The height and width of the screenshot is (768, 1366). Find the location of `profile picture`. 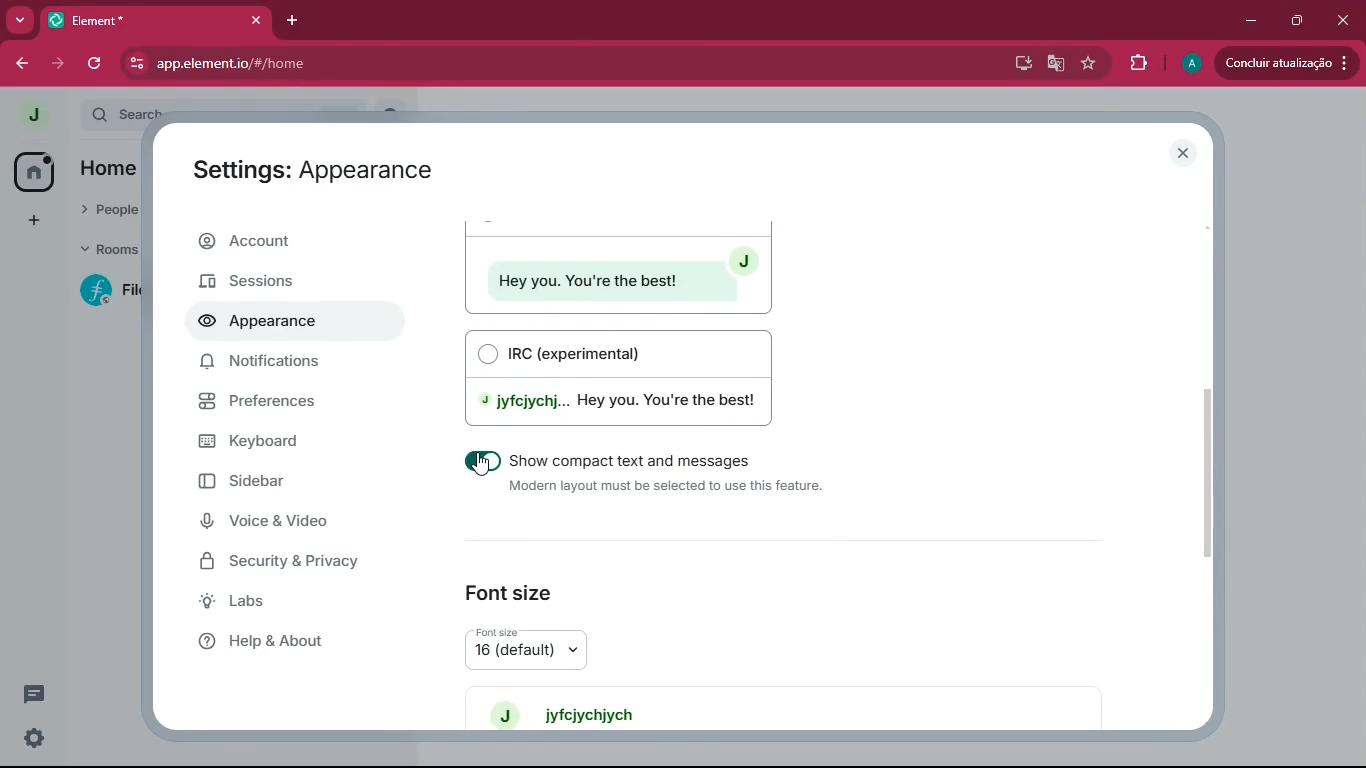

profile picture is located at coordinates (28, 115).